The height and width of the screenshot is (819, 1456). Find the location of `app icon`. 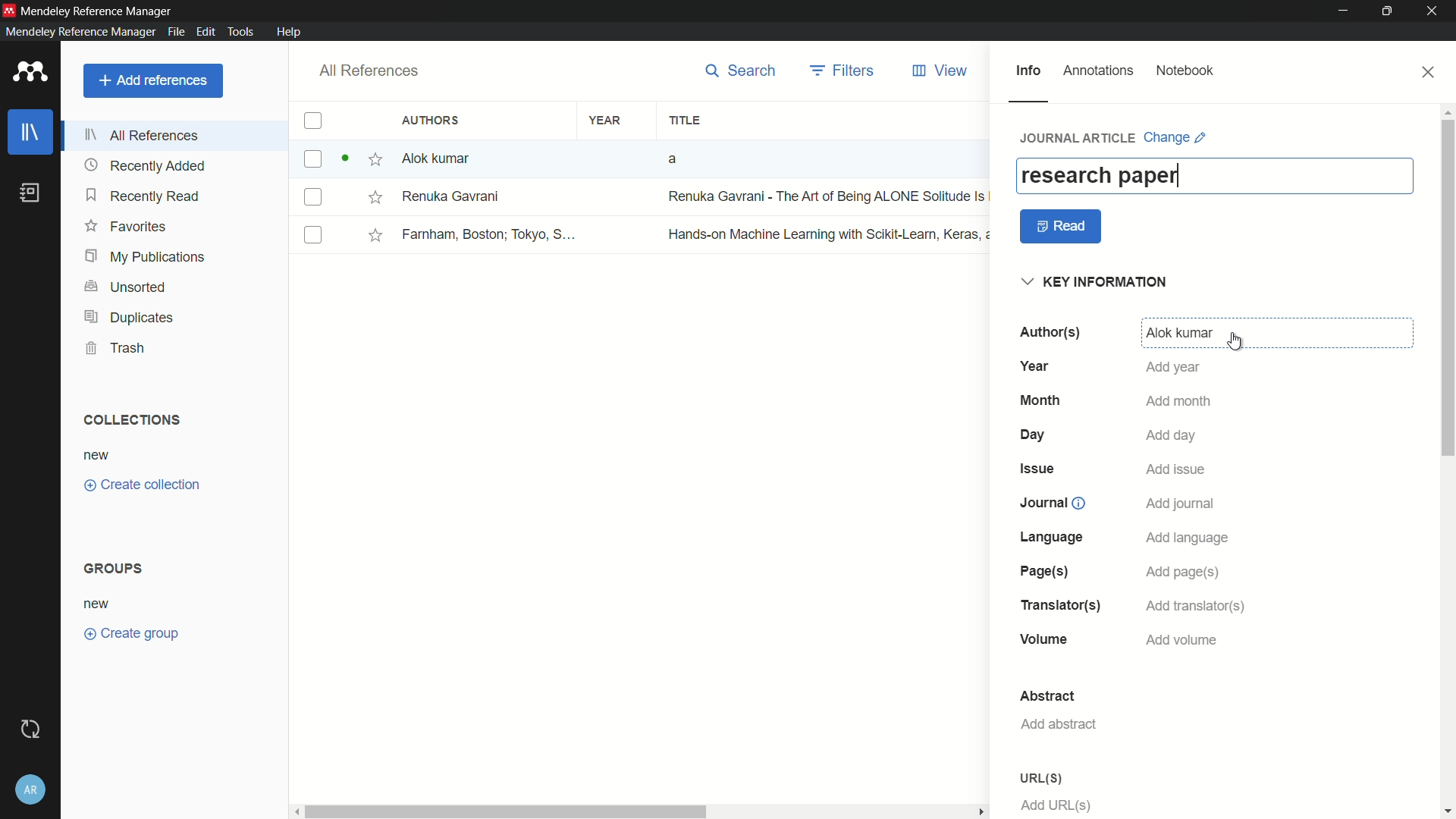

app icon is located at coordinates (30, 73).